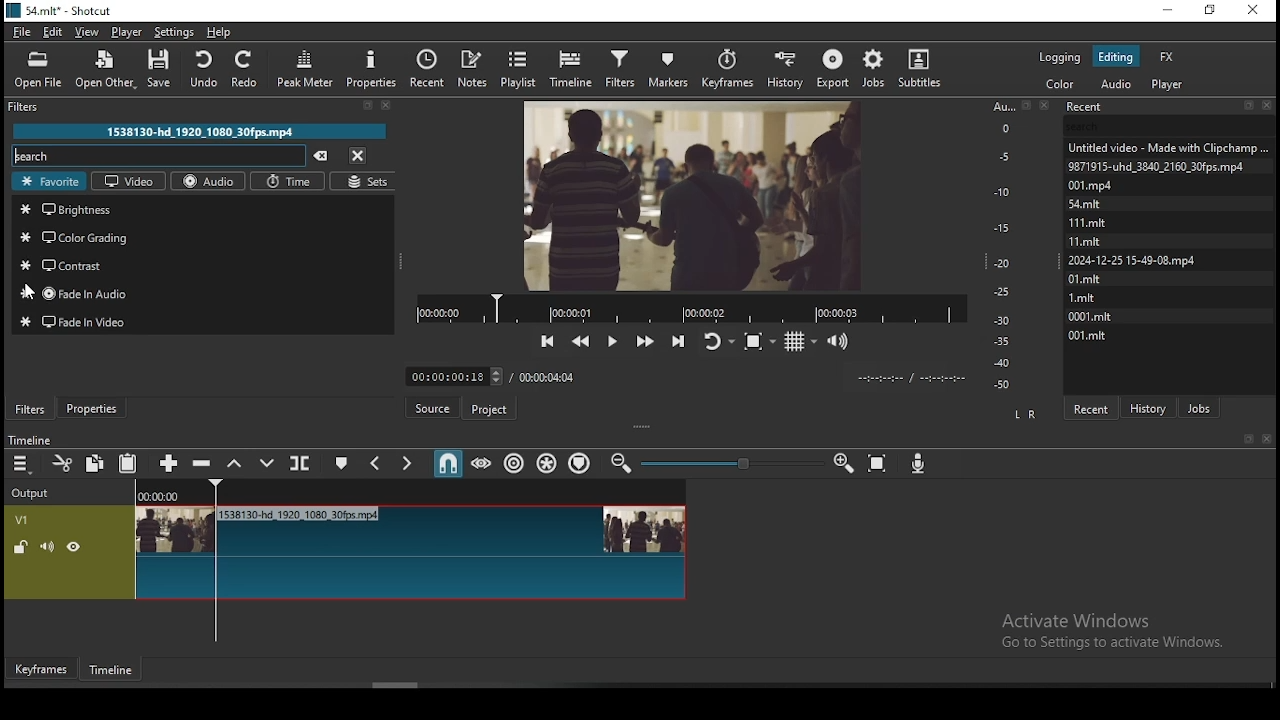 This screenshot has height=720, width=1280. I want to click on , so click(435, 407).